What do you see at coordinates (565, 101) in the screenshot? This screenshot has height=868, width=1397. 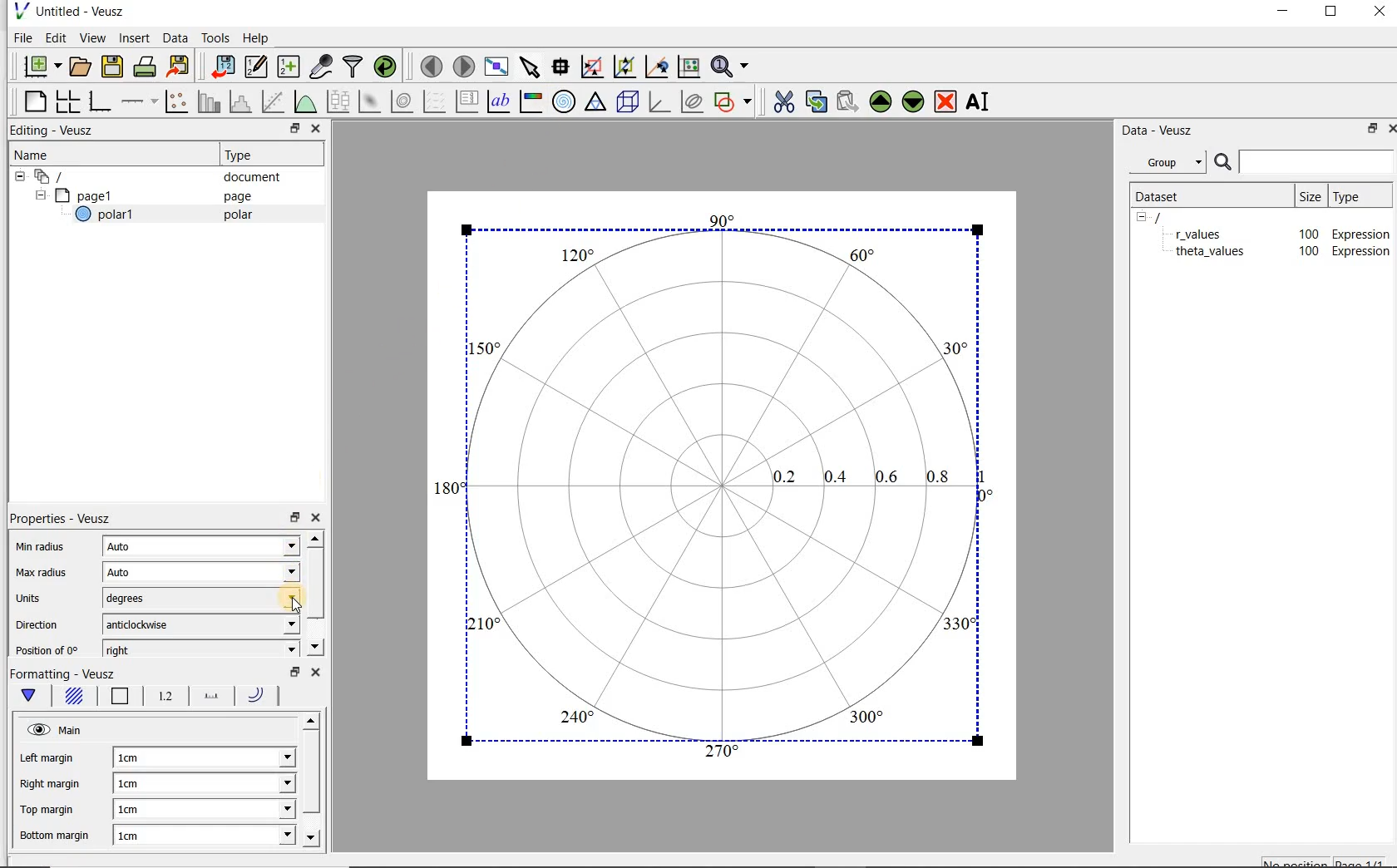 I see `polar graph` at bounding box center [565, 101].